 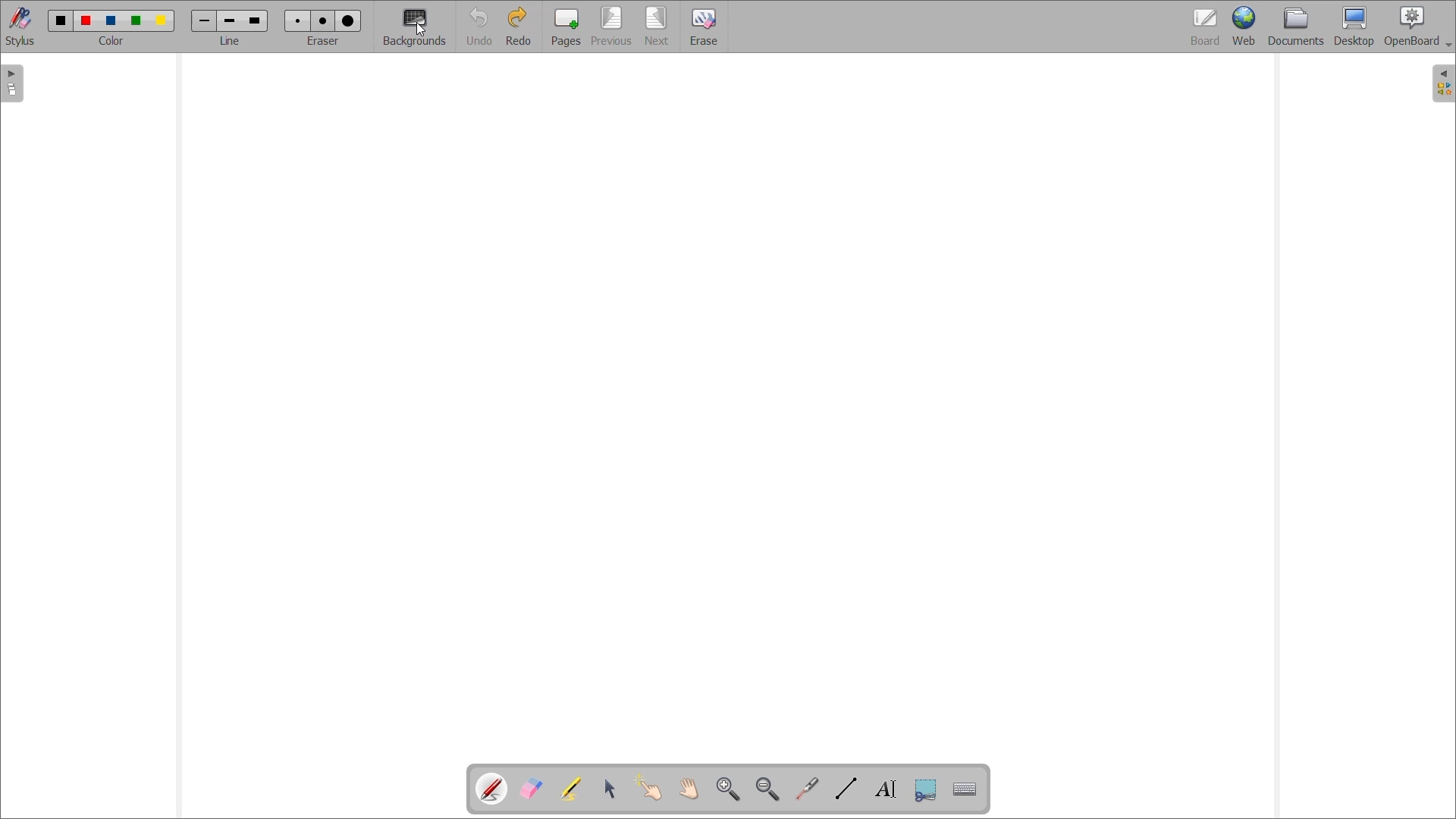 What do you see at coordinates (727, 789) in the screenshot?
I see `Zoom in` at bounding box center [727, 789].